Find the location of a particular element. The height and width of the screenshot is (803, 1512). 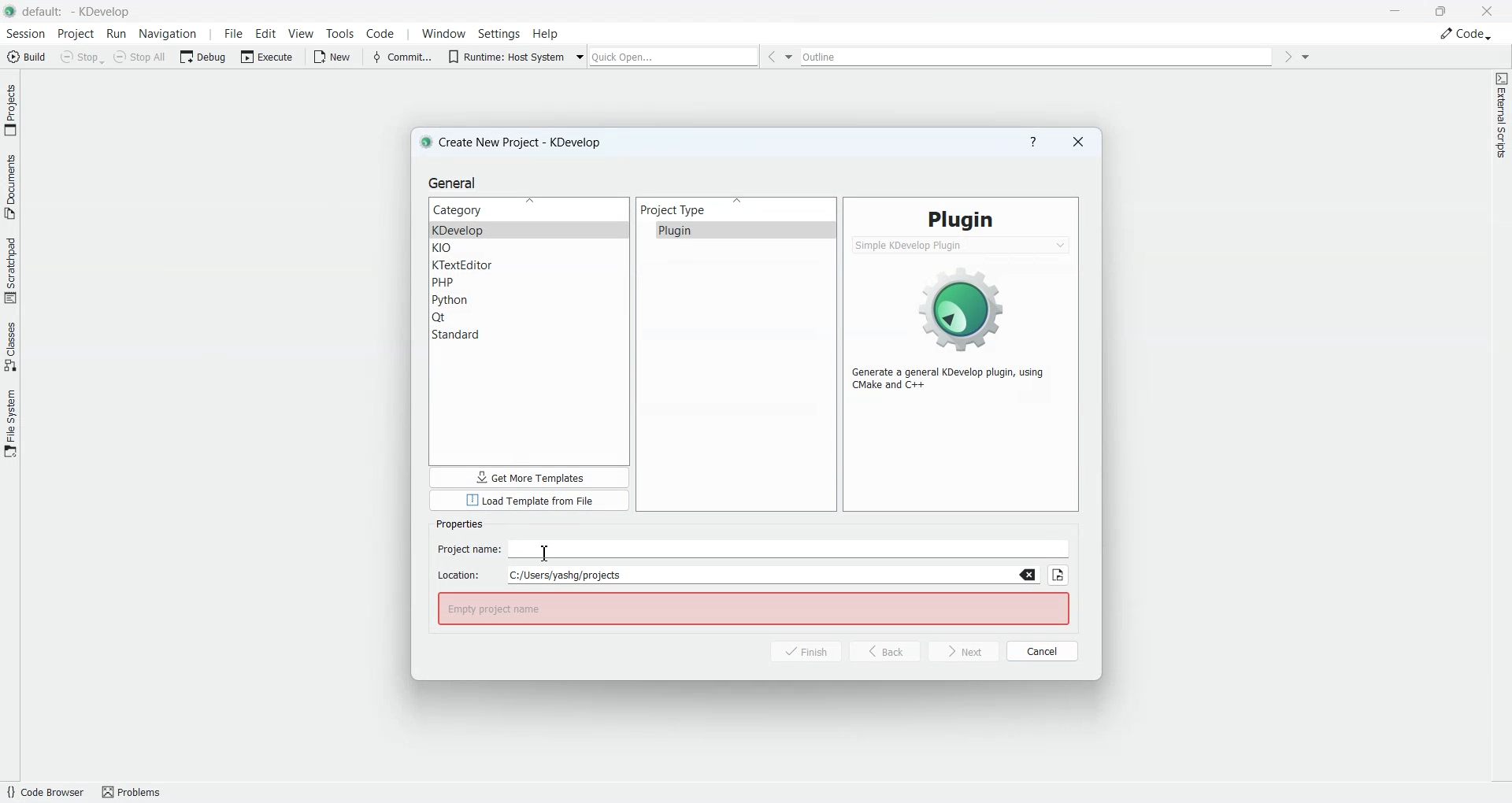

External scripts is located at coordinates (1501, 120).